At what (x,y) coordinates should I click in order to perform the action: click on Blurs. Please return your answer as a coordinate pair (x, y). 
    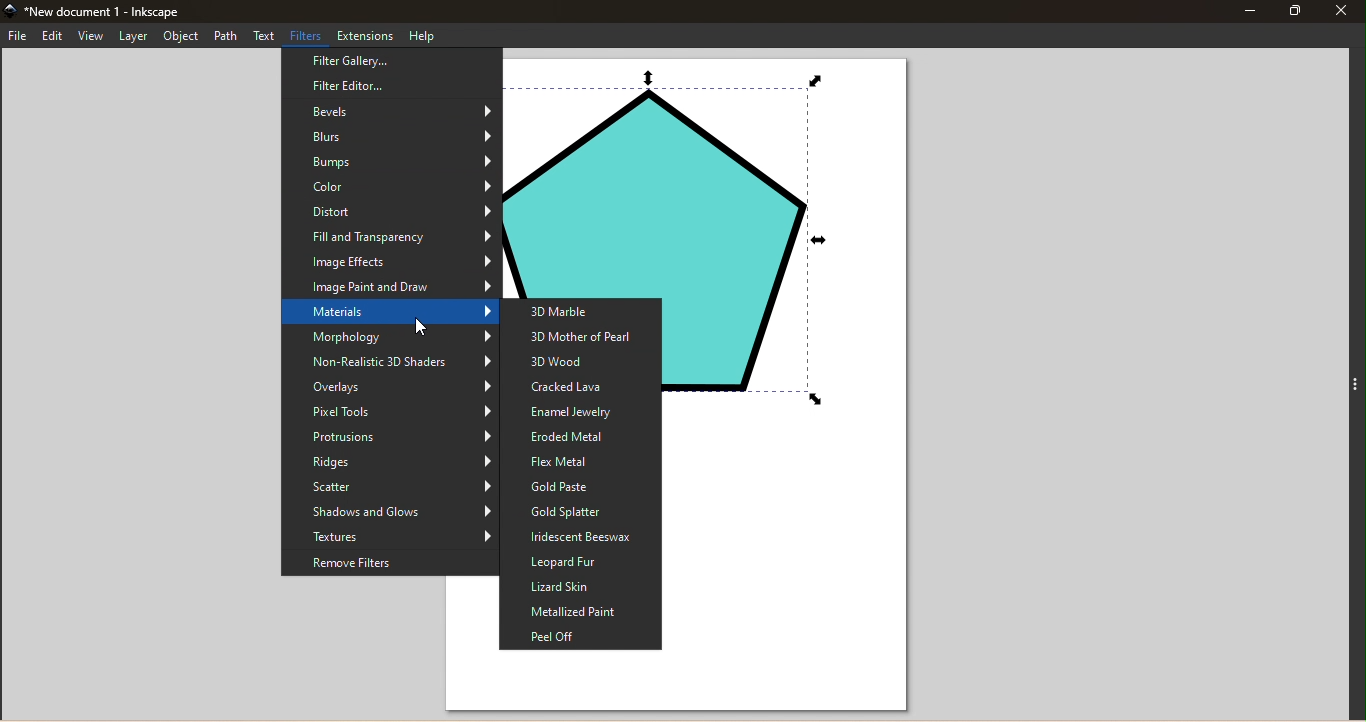
    Looking at the image, I should click on (393, 138).